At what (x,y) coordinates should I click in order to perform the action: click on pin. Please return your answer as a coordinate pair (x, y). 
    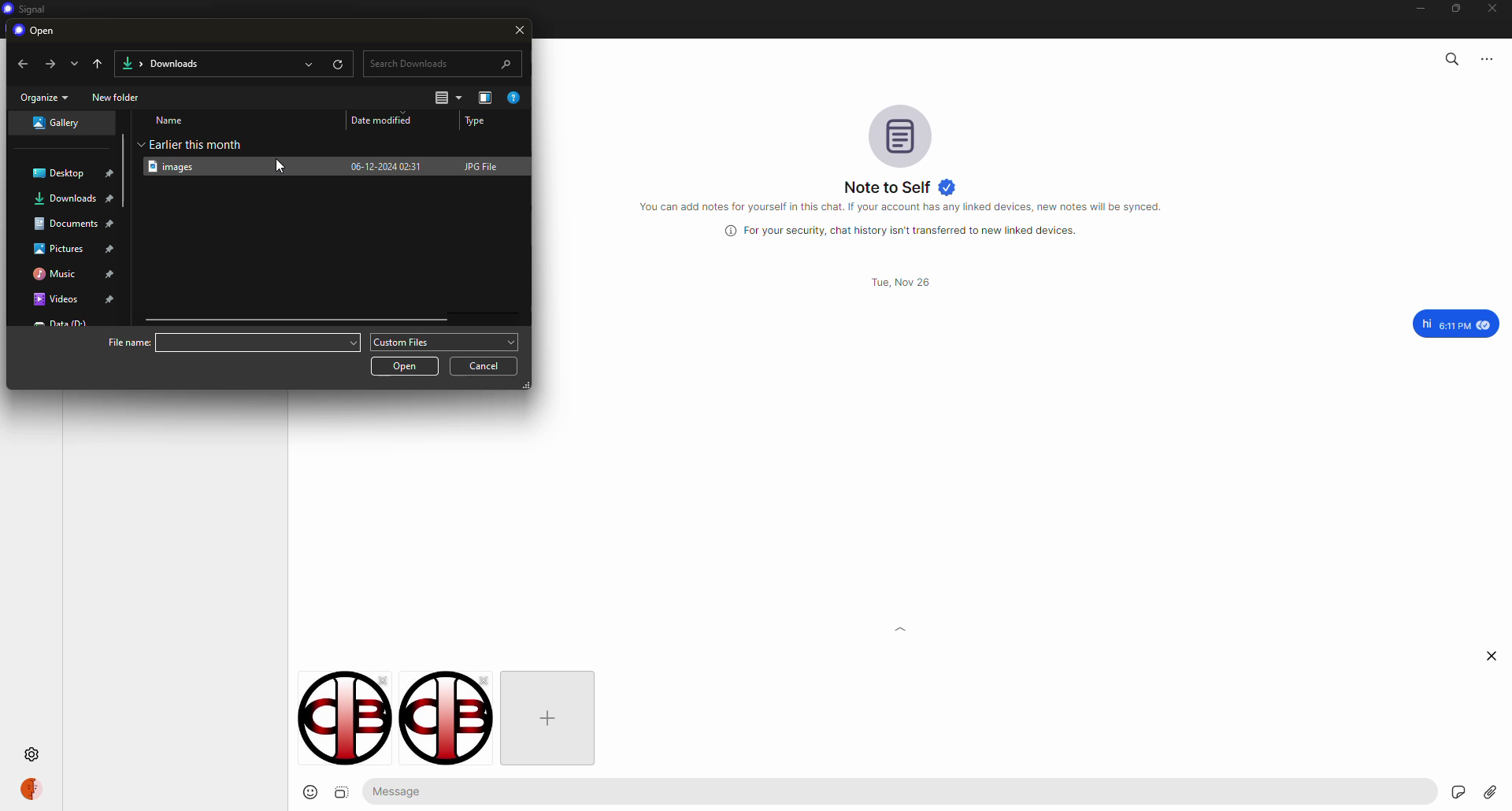
    Looking at the image, I should click on (111, 299).